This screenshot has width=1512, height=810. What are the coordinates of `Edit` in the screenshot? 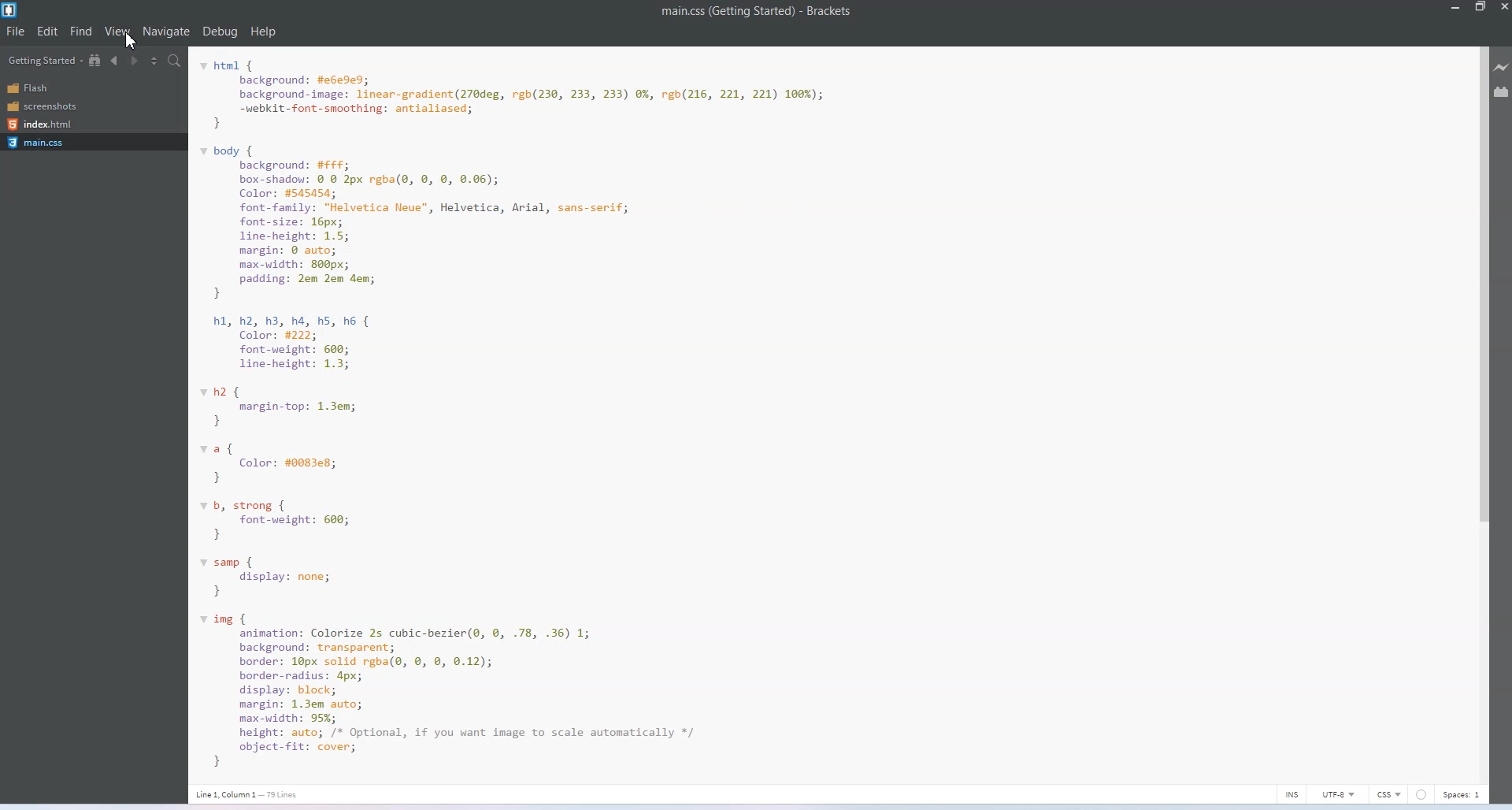 It's located at (48, 31).